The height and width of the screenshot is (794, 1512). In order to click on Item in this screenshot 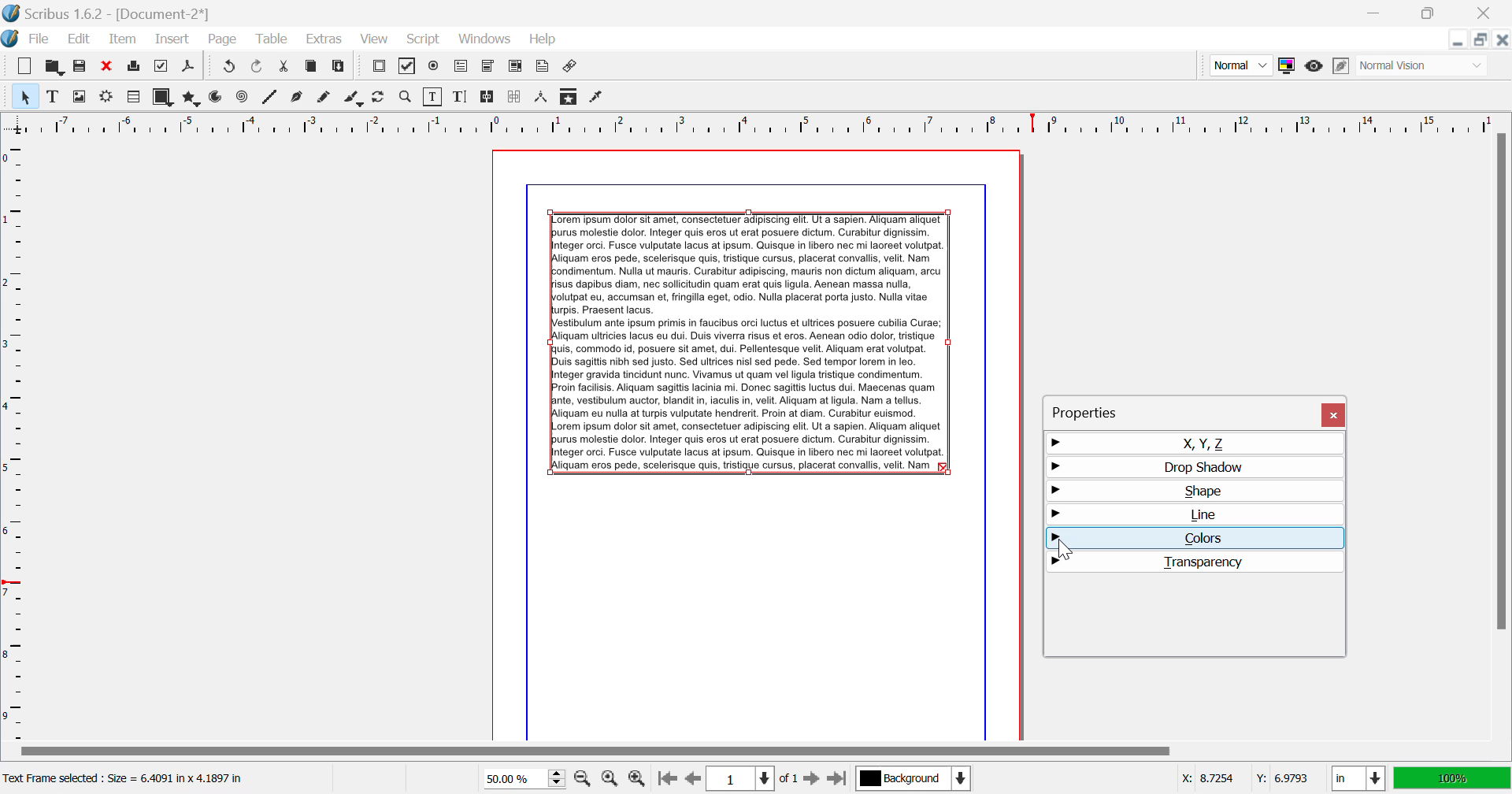, I will do `click(124, 39)`.